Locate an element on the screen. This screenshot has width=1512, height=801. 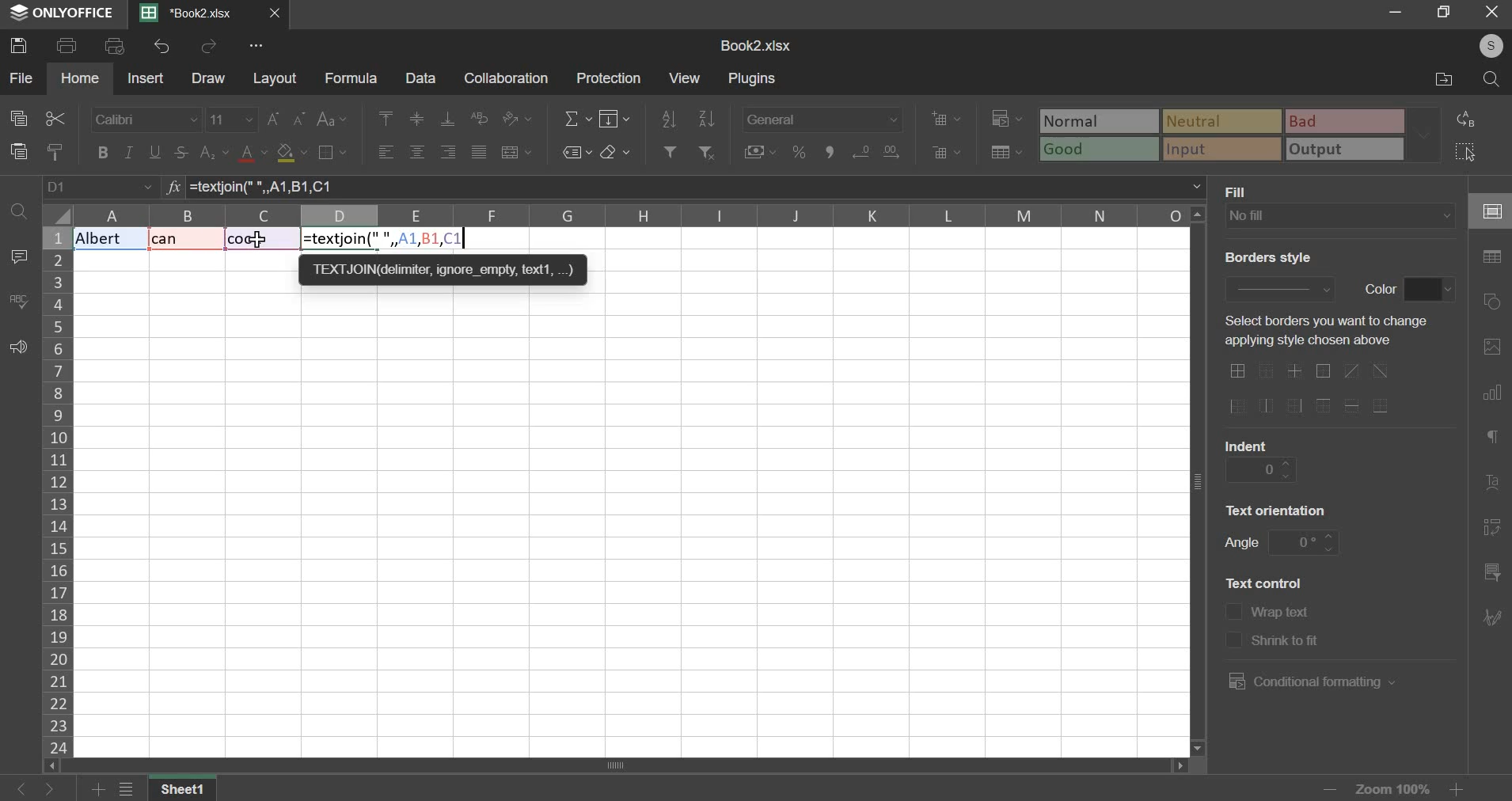
sort descending is located at coordinates (706, 118).